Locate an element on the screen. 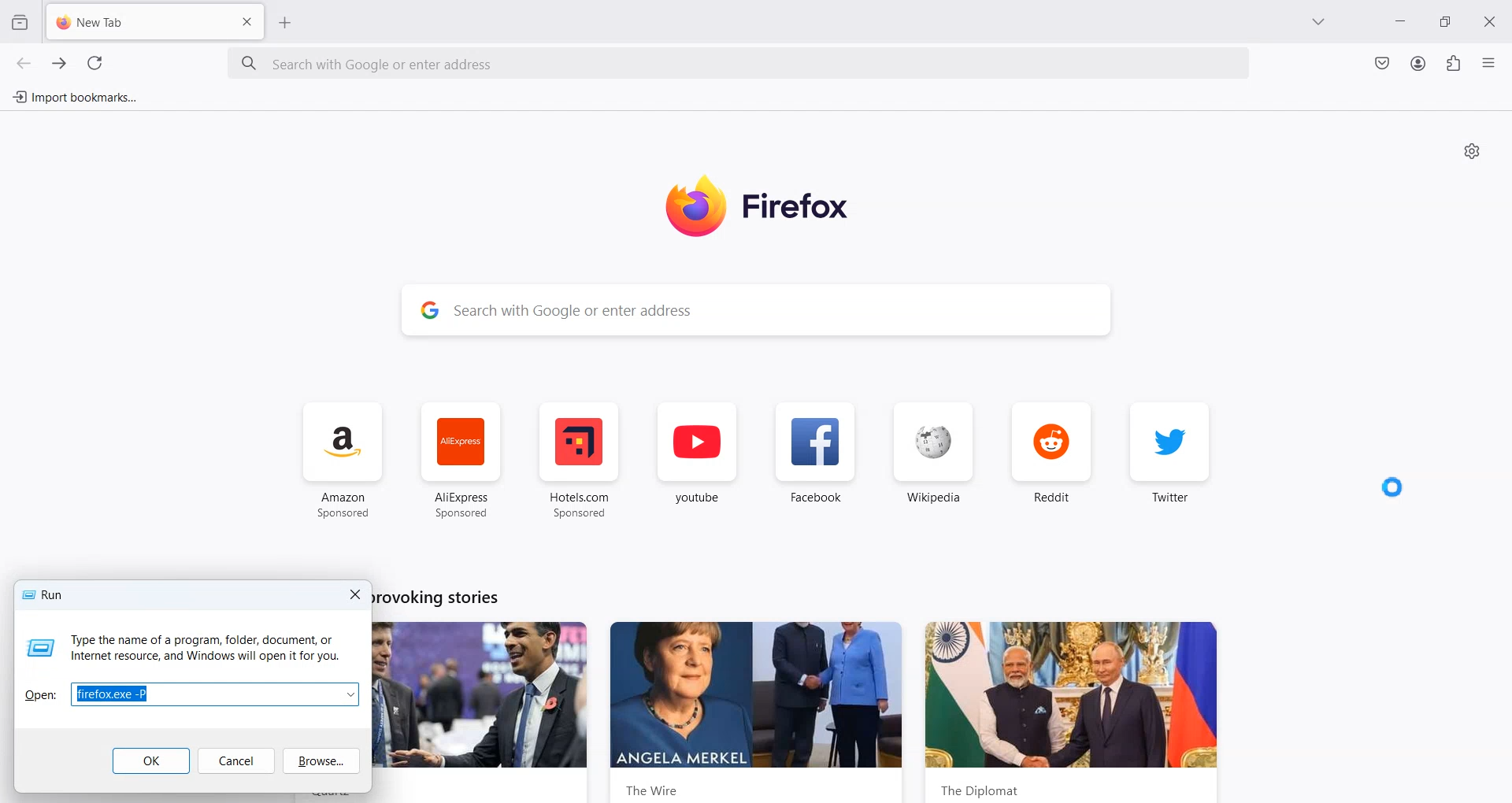 This screenshot has width=1512, height=803. Go back one page is located at coordinates (24, 63).